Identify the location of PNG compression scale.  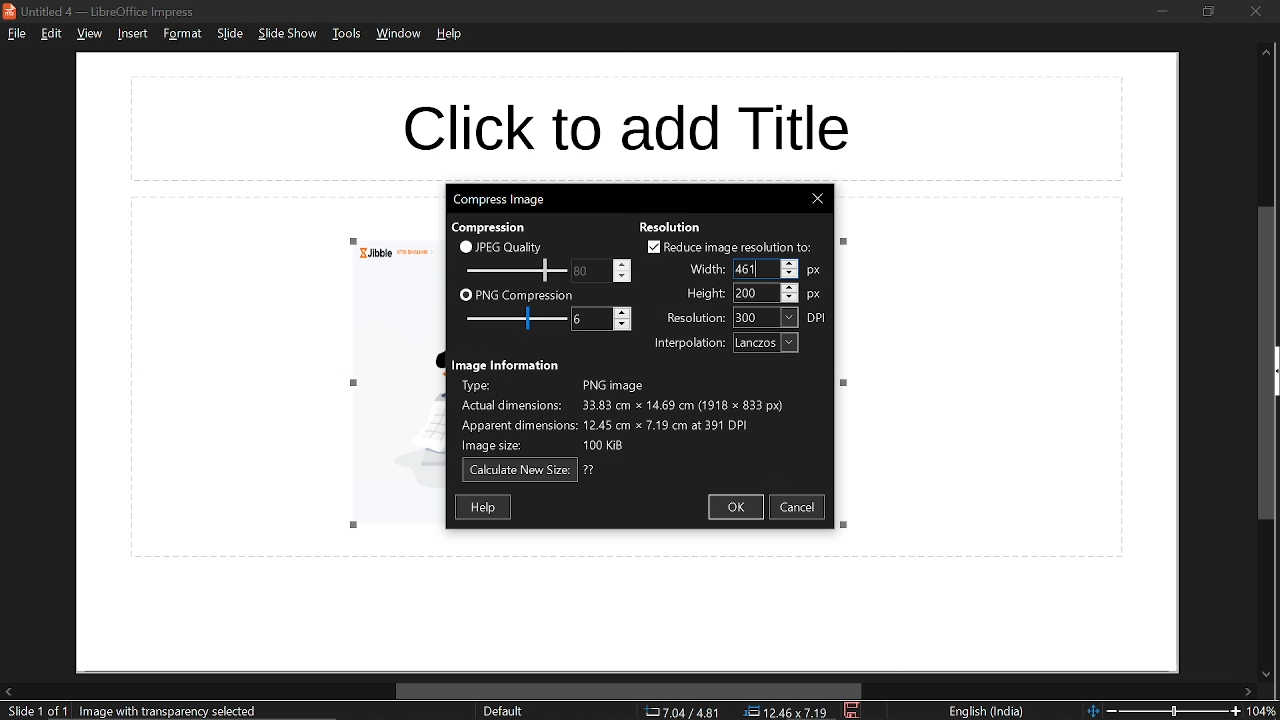
(513, 318).